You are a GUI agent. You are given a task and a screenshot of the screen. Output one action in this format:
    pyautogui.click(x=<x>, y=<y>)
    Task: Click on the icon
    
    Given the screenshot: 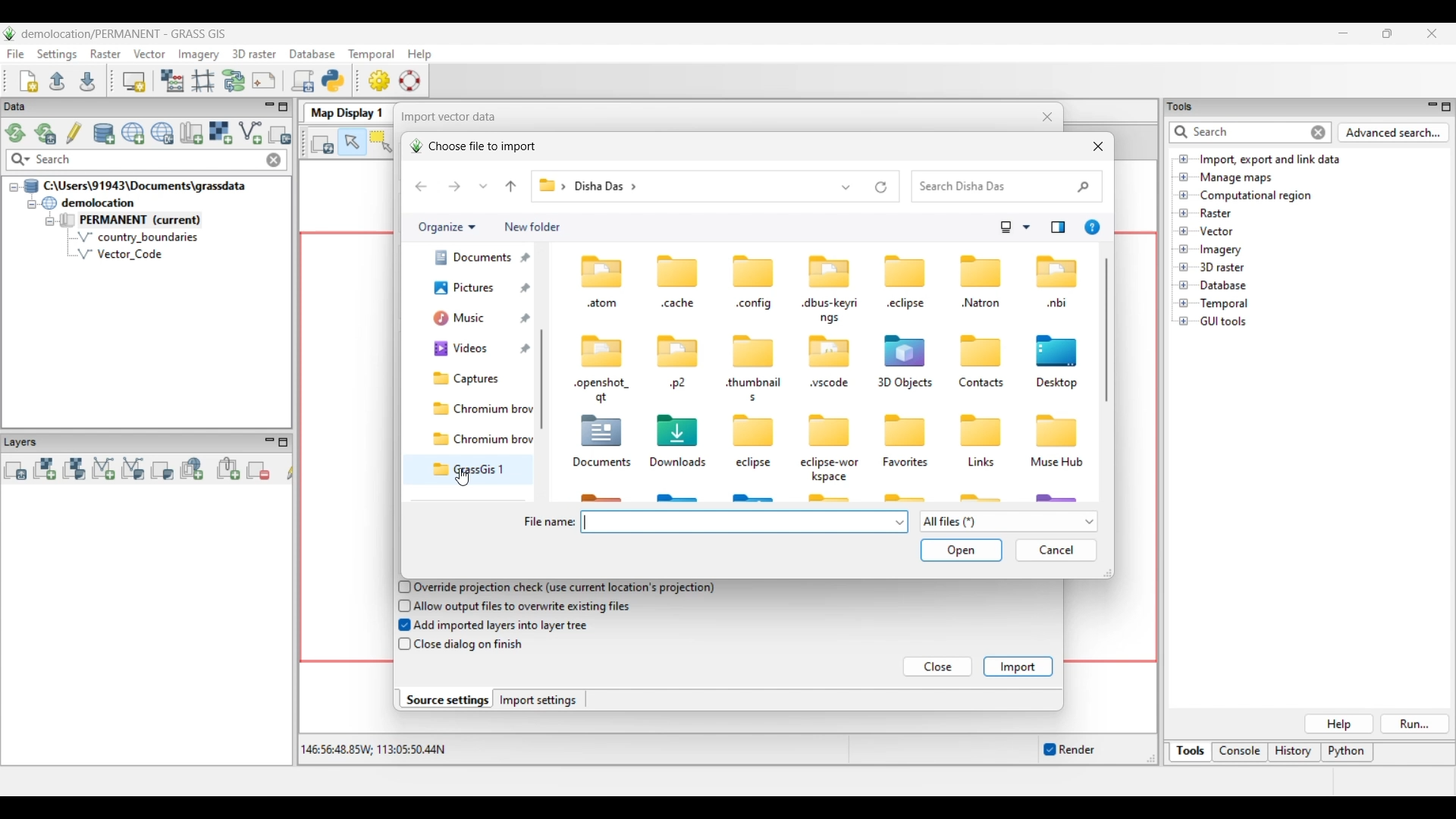 What is the action you would take?
    pyautogui.click(x=830, y=431)
    